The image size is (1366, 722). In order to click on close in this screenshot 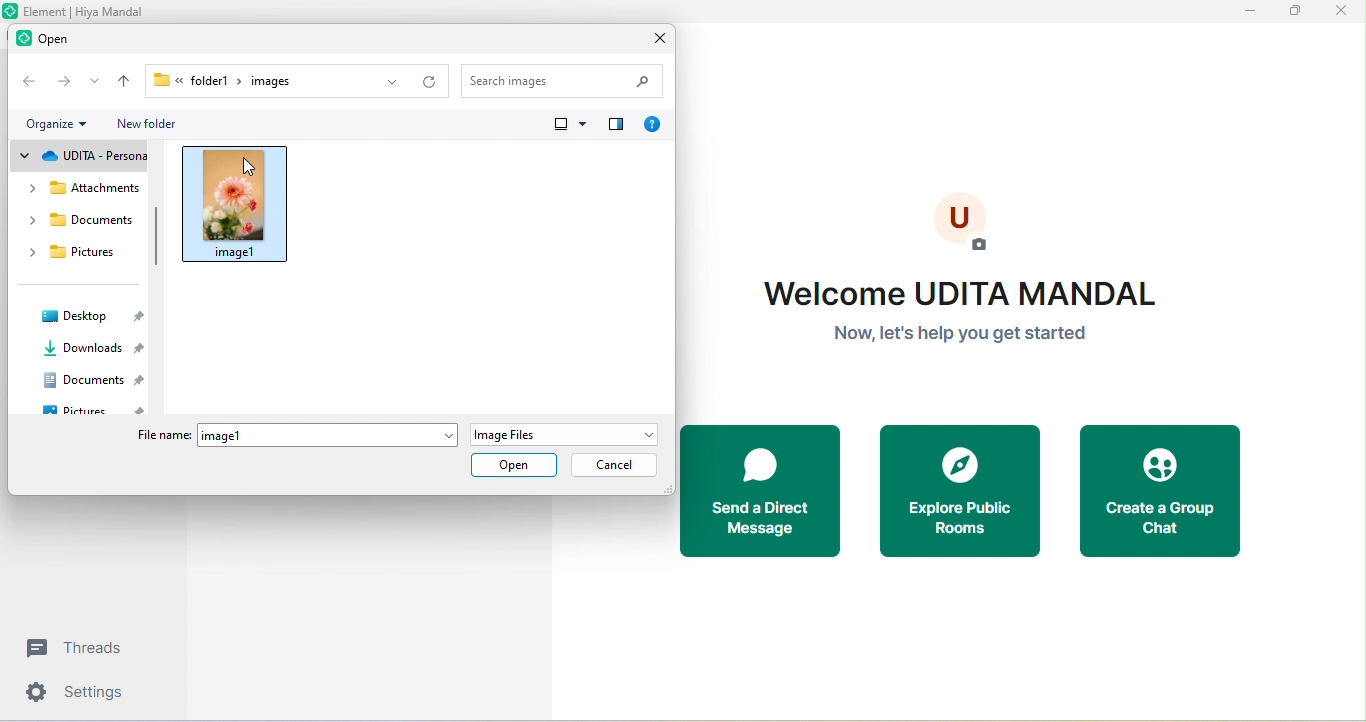, I will do `click(1340, 14)`.